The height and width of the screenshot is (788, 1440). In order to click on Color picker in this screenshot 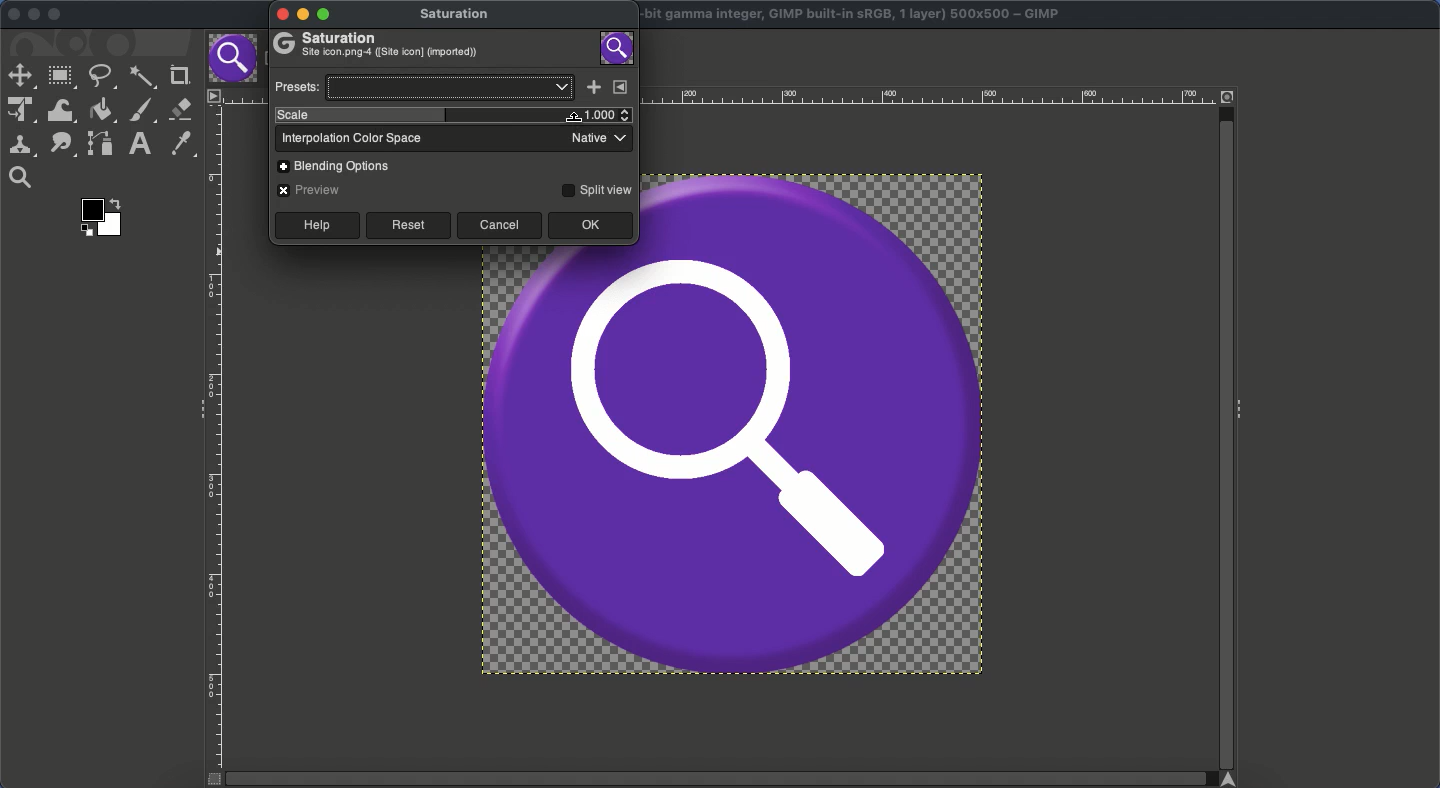, I will do `click(180, 144)`.